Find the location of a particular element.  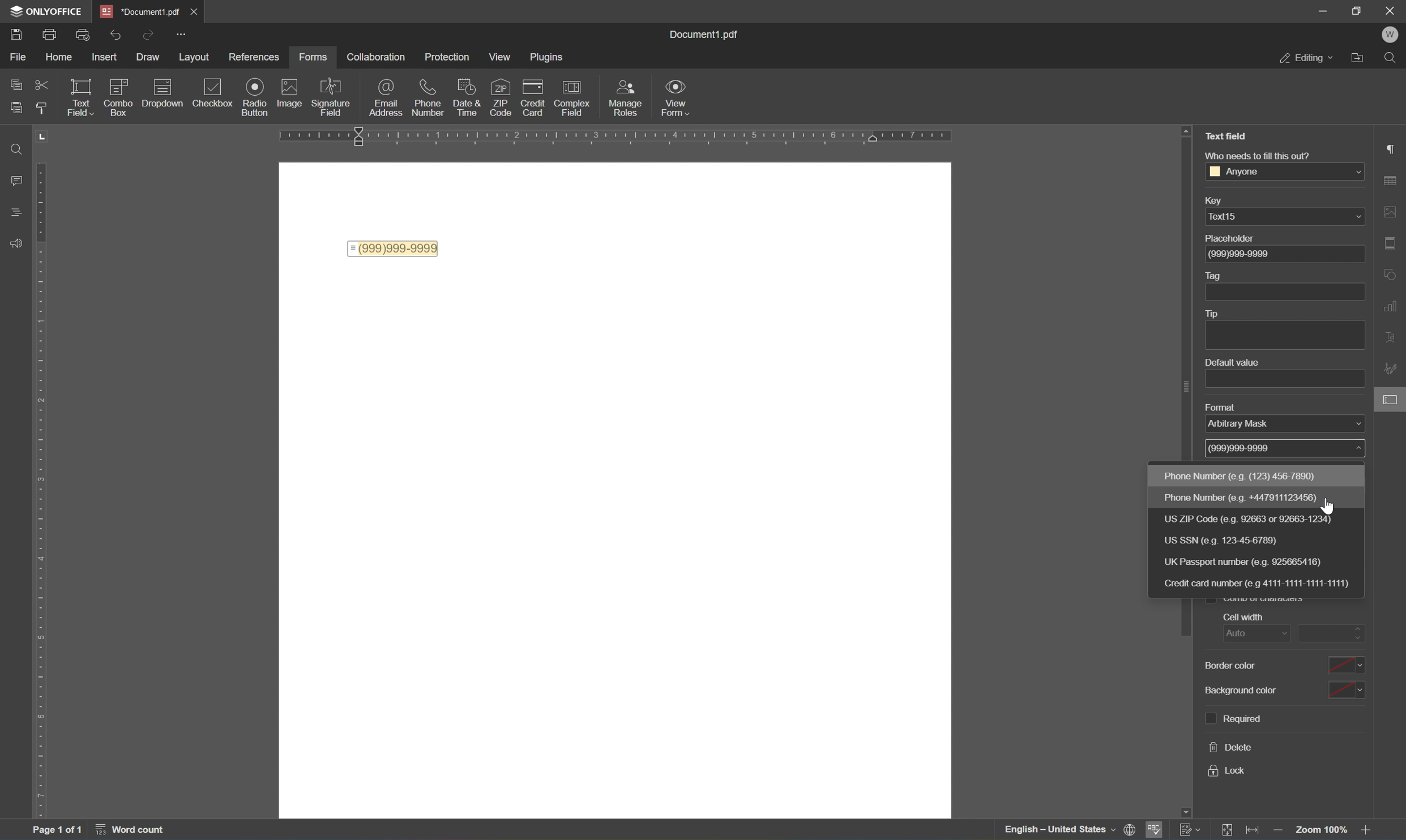

fit to page is located at coordinates (1231, 830).